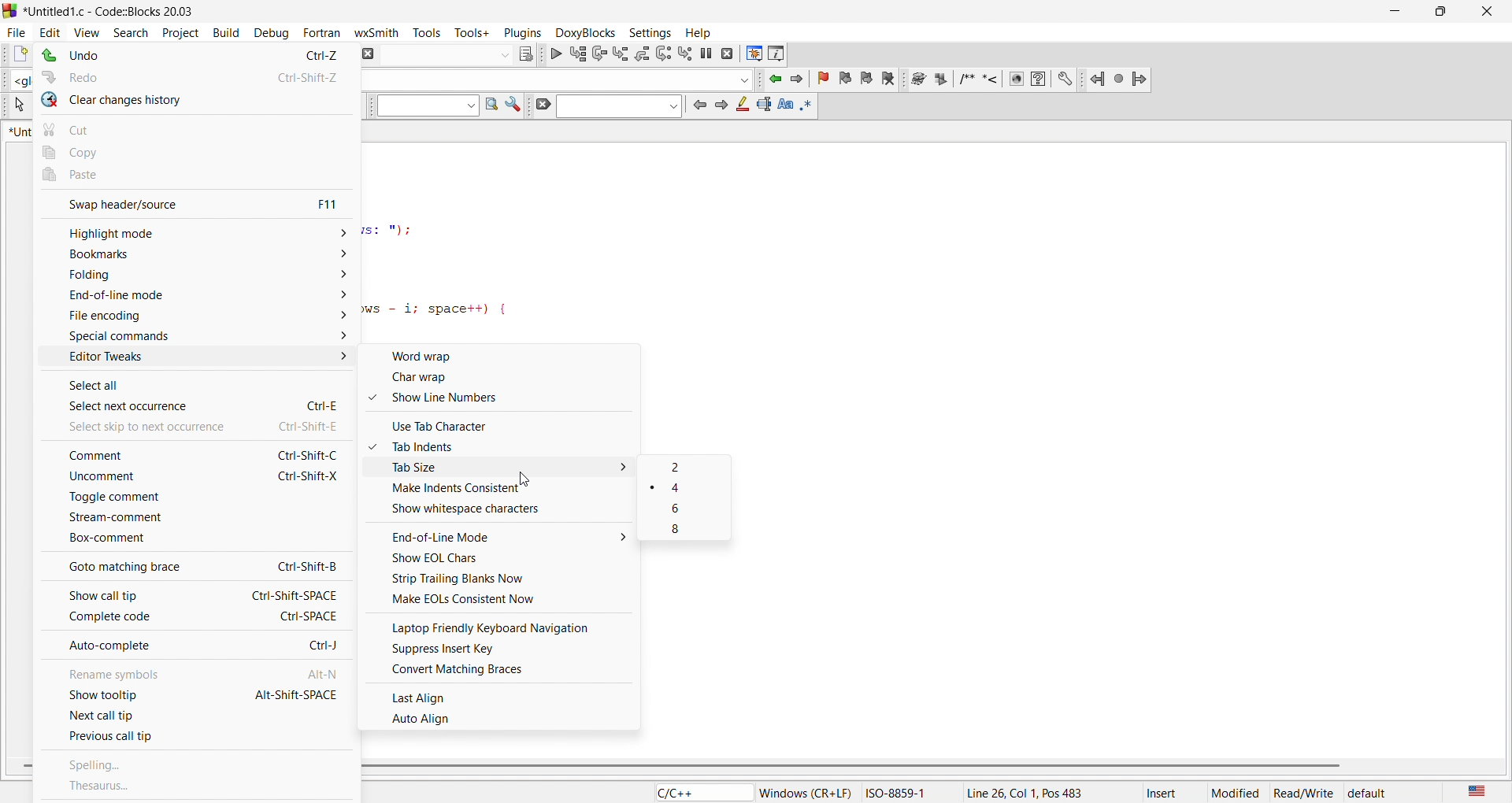 Image resolution: width=1512 pixels, height=803 pixels. What do you see at coordinates (134, 596) in the screenshot?
I see `show call tip ` at bounding box center [134, 596].